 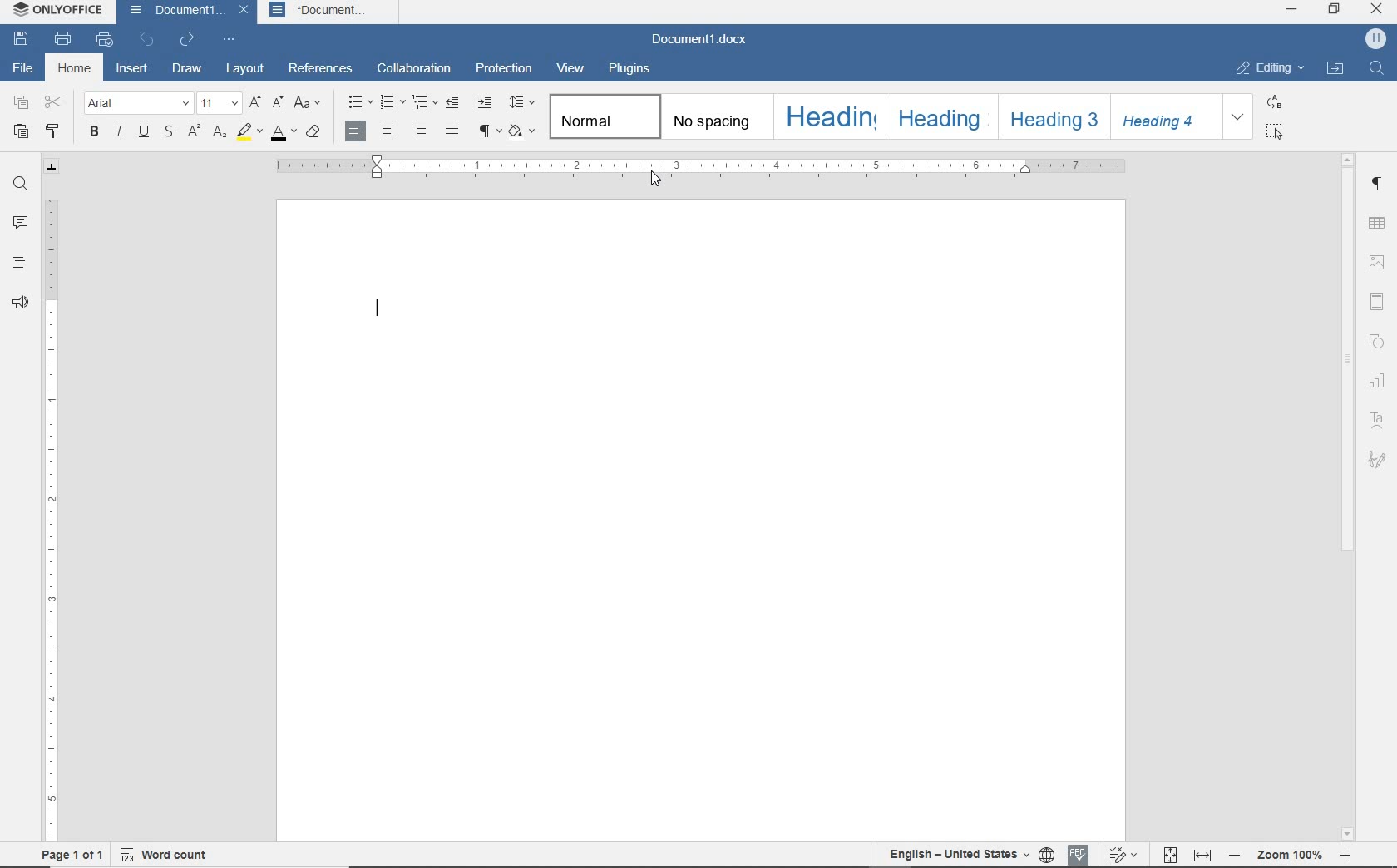 What do you see at coordinates (18, 262) in the screenshot?
I see `HEADINGS` at bounding box center [18, 262].